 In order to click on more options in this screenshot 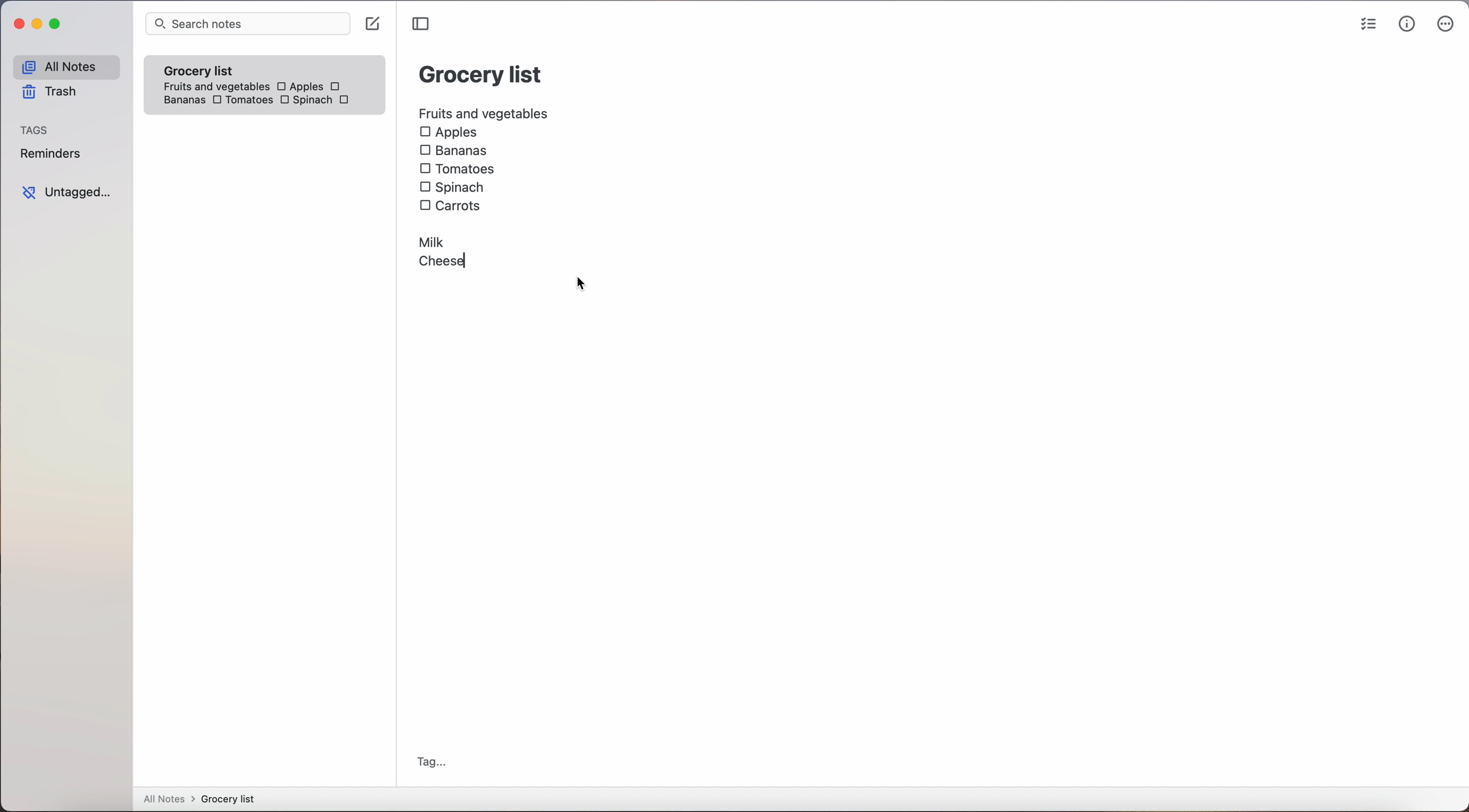, I will do `click(1445, 25)`.